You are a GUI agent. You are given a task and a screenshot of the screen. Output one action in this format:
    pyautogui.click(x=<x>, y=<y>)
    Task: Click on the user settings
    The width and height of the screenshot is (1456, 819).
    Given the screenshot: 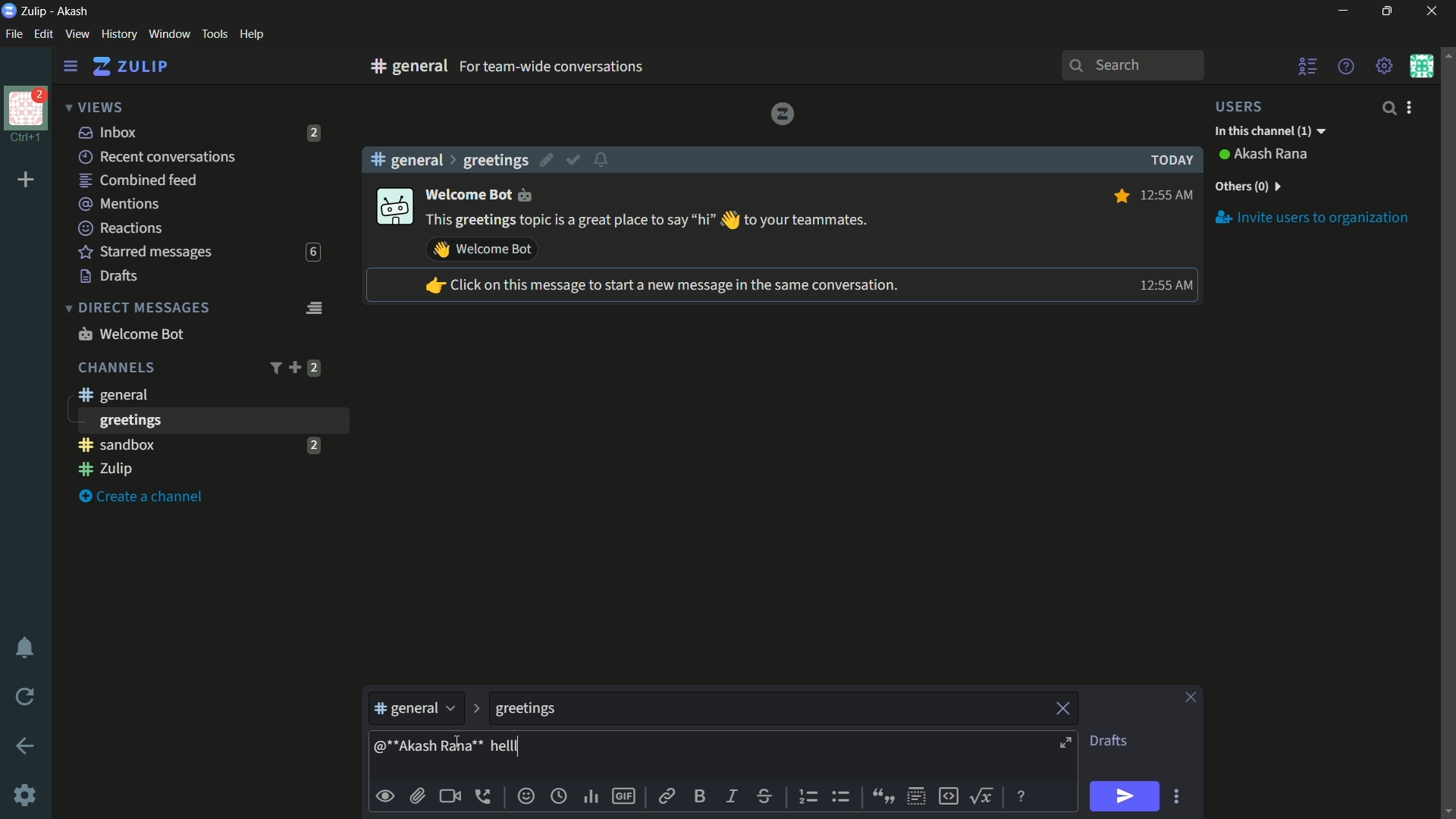 What is the action you would take?
    pyautogui.click(x=1412, y=107)
    